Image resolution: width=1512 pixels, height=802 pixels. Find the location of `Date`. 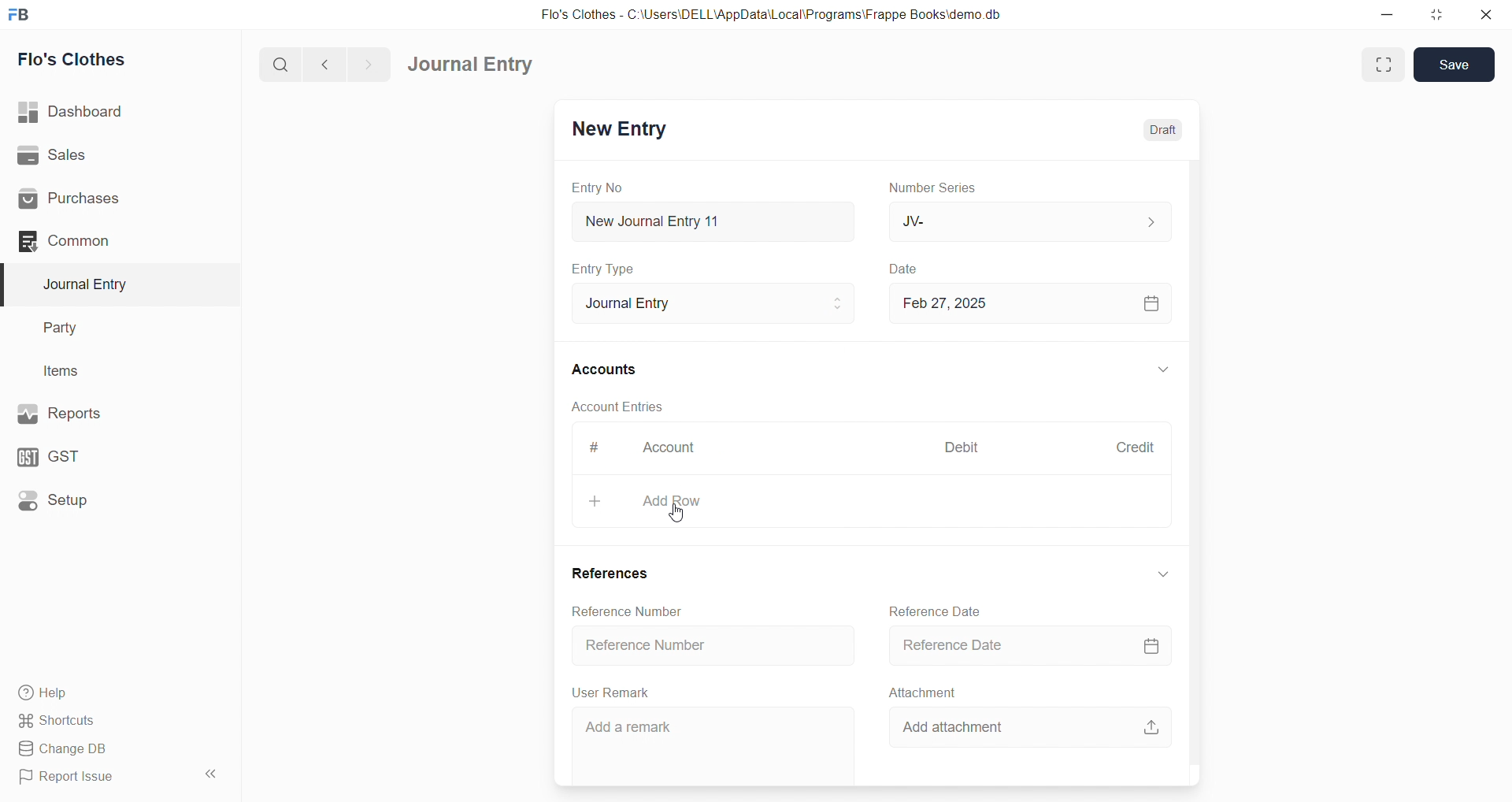

Date is located at coordinates (908, 269).